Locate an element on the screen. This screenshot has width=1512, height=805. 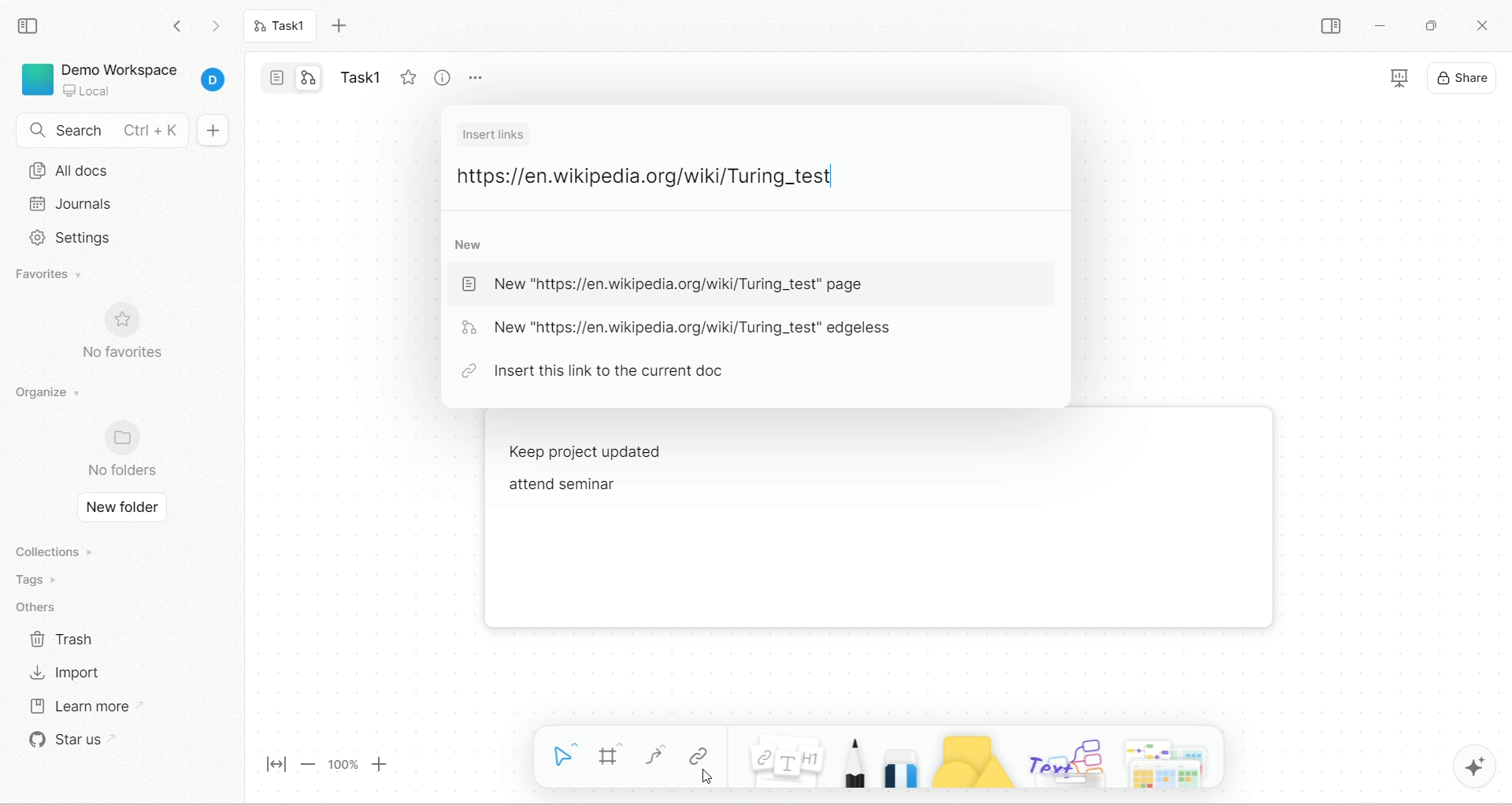
title is located at coordinates (358, 73).